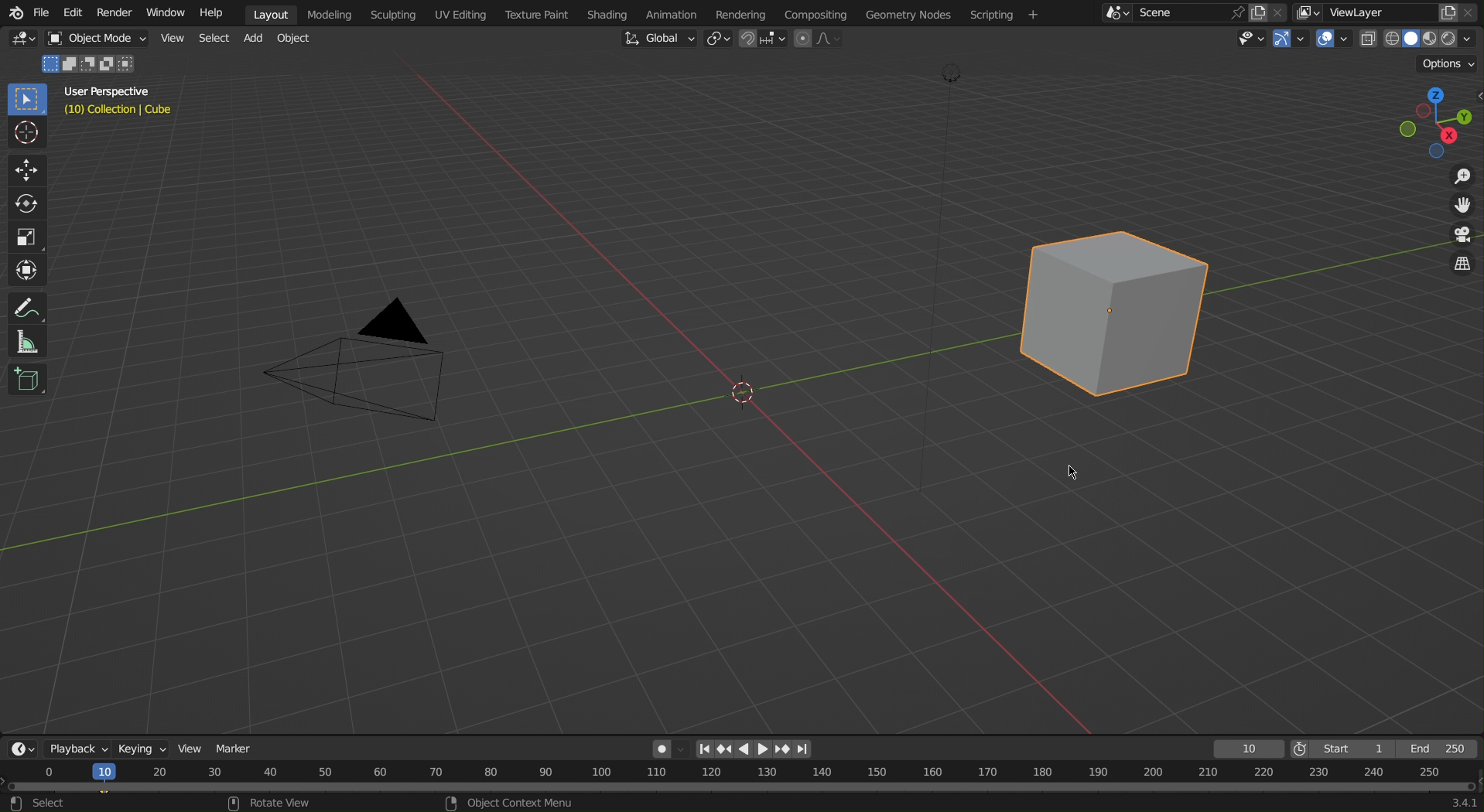 The width and height of the screenshot is (1484, 812). Describe the element at coordinates (333, 12) in the screenshot. I see `Modeling` at that location.